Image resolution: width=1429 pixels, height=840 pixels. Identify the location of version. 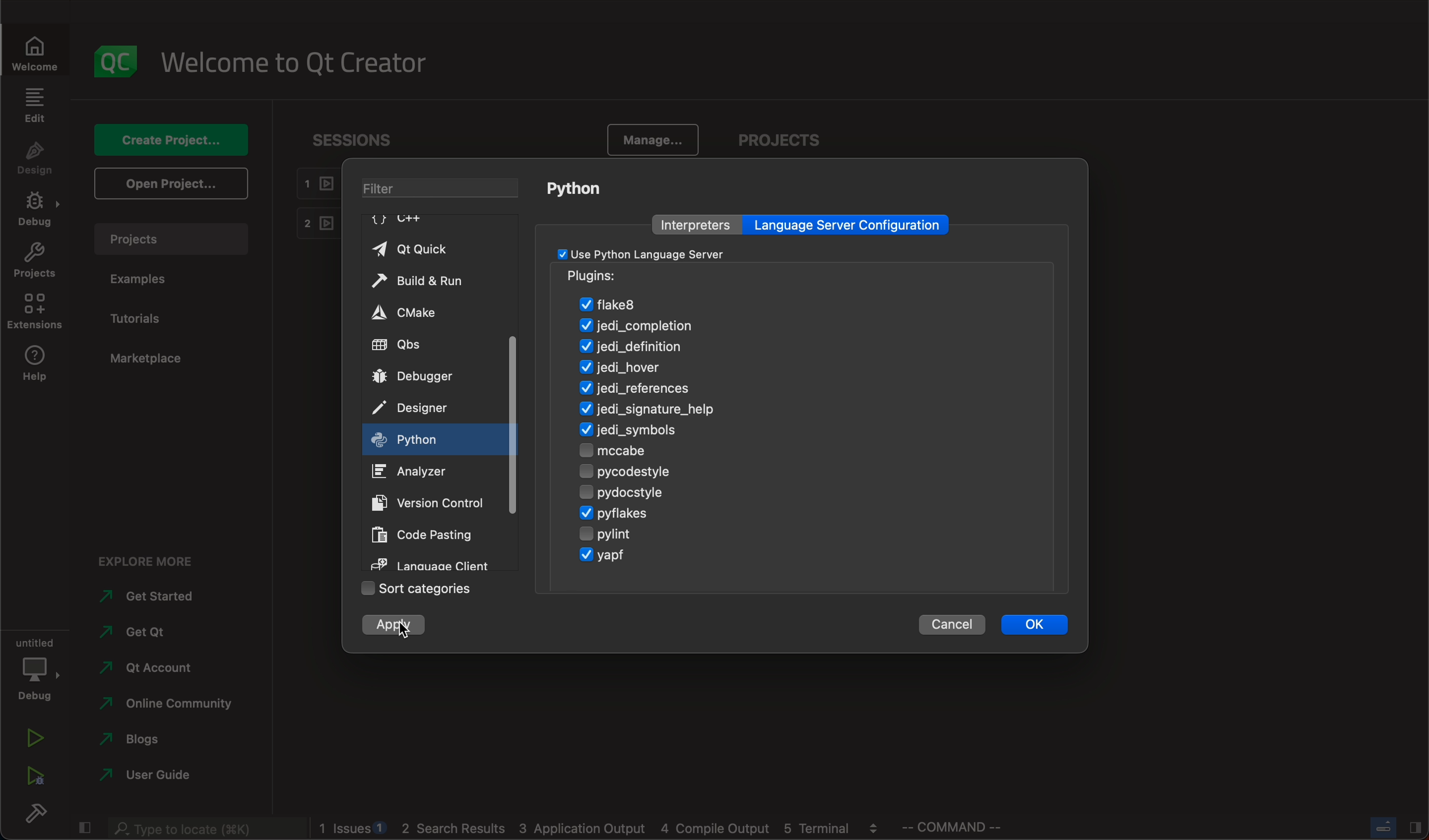
(431, 502).